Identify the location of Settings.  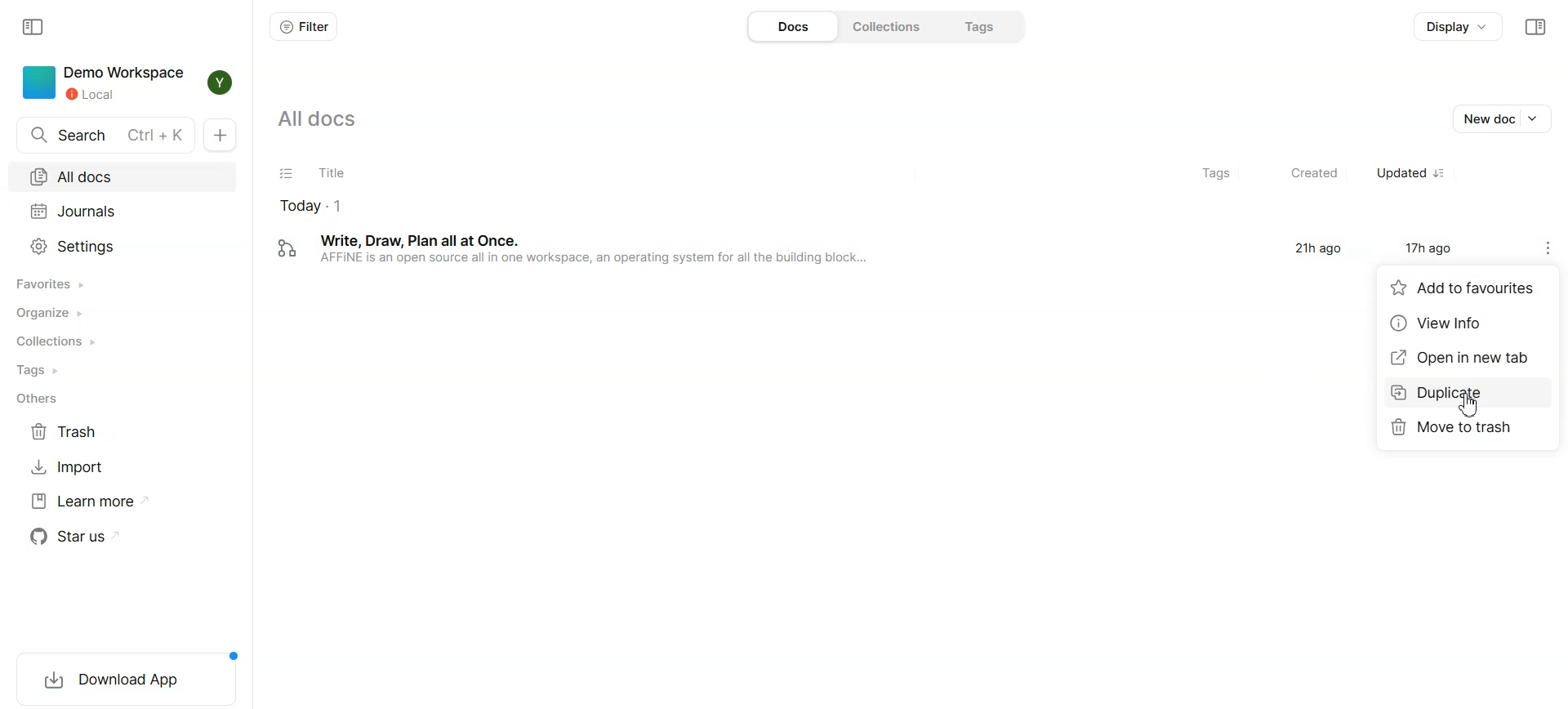
(1548, 249).